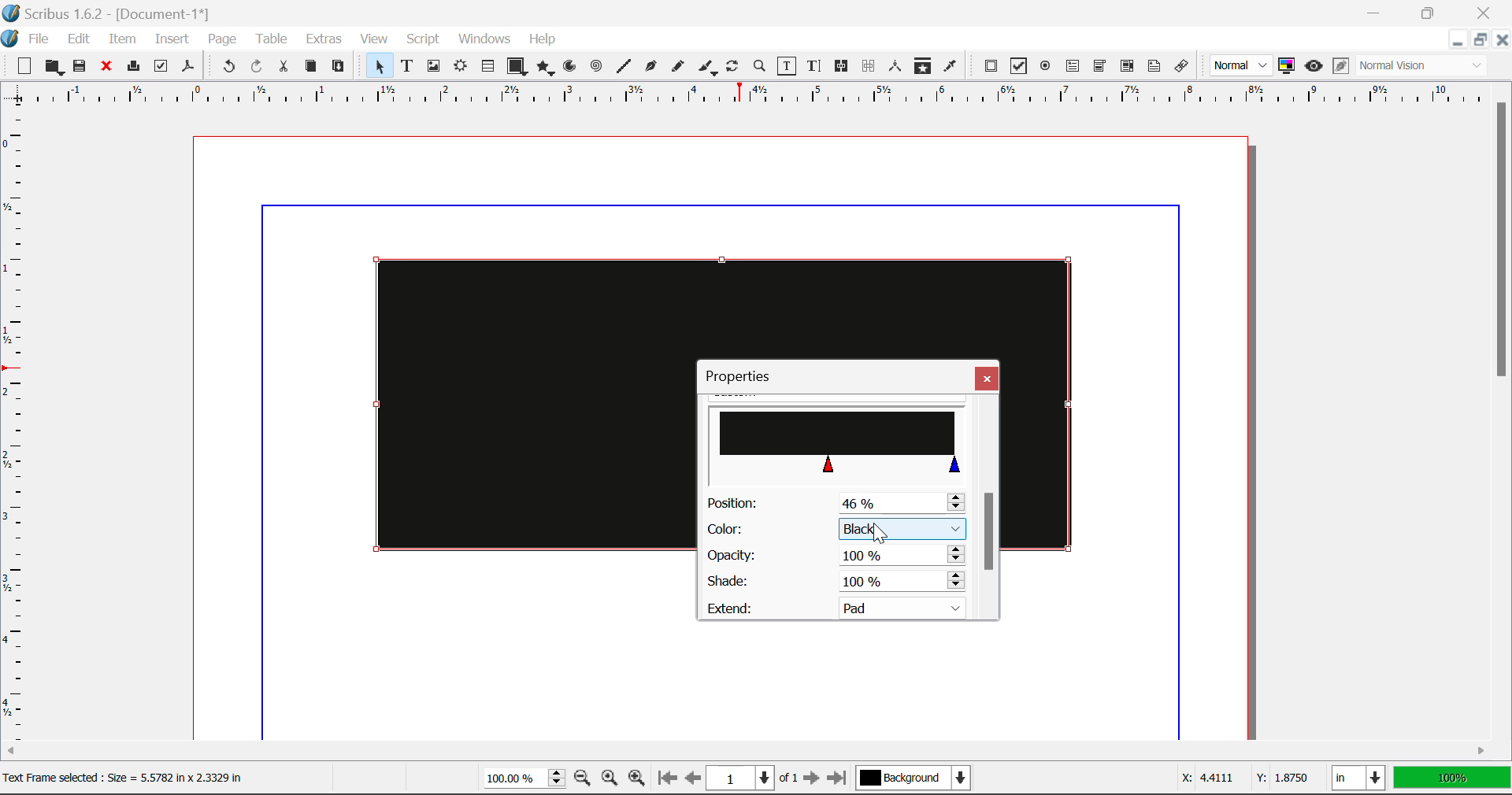  Describe the element at coordinates (1456, 40) in the screenshot. I see `Restore Down` at that location.